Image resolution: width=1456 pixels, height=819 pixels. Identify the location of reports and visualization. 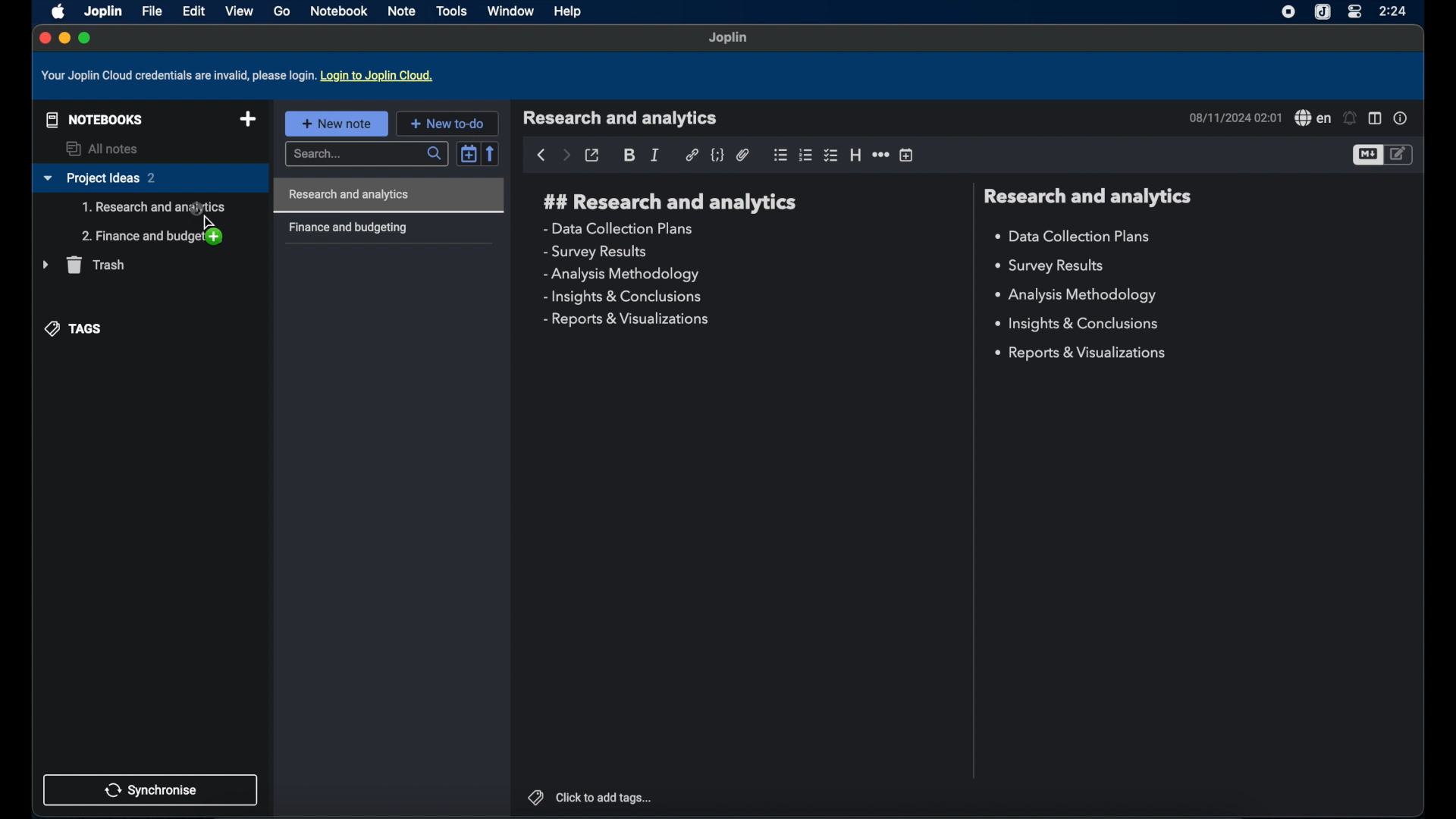
(1083, 353).